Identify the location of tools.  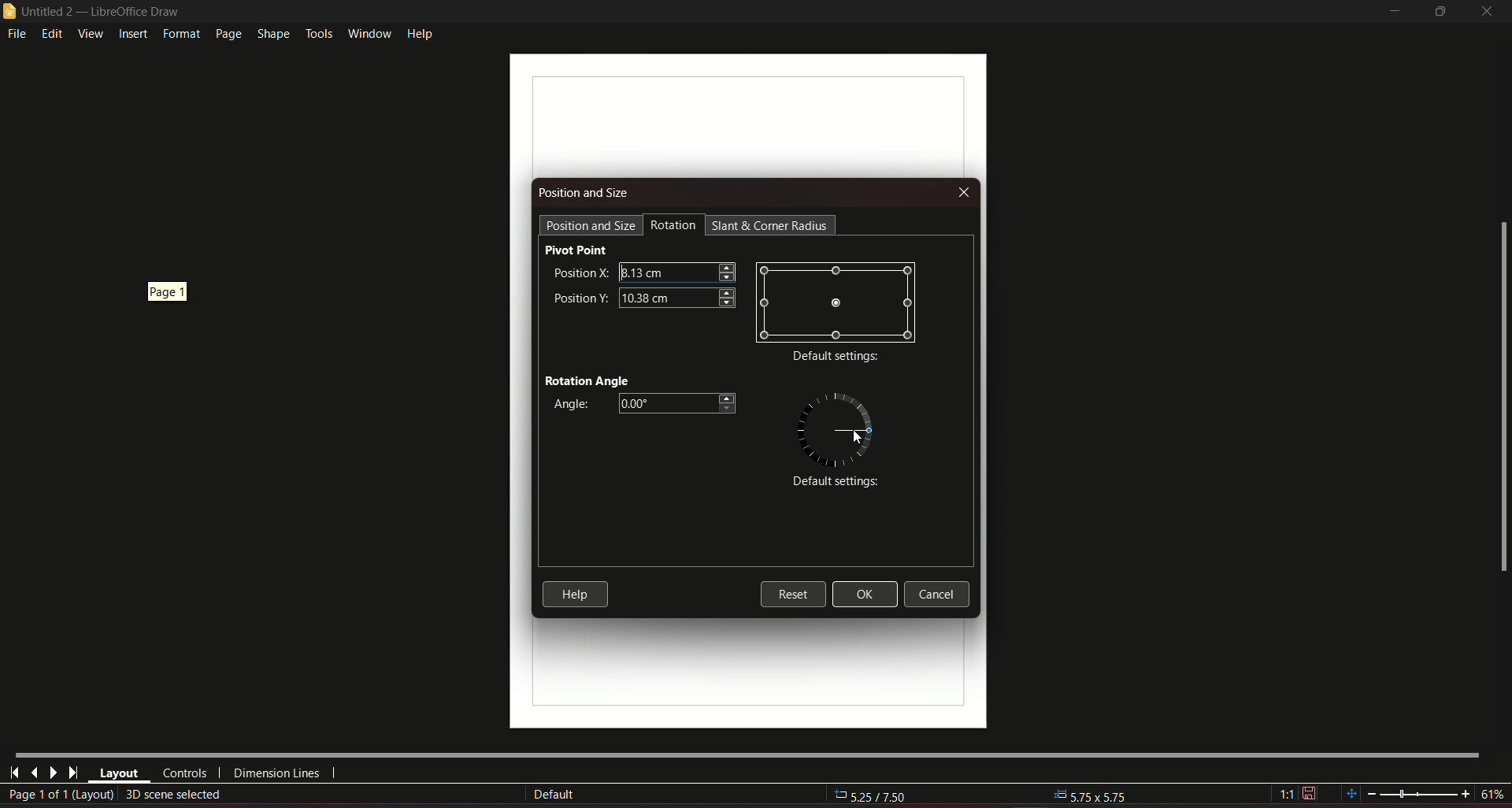
(318, 32).